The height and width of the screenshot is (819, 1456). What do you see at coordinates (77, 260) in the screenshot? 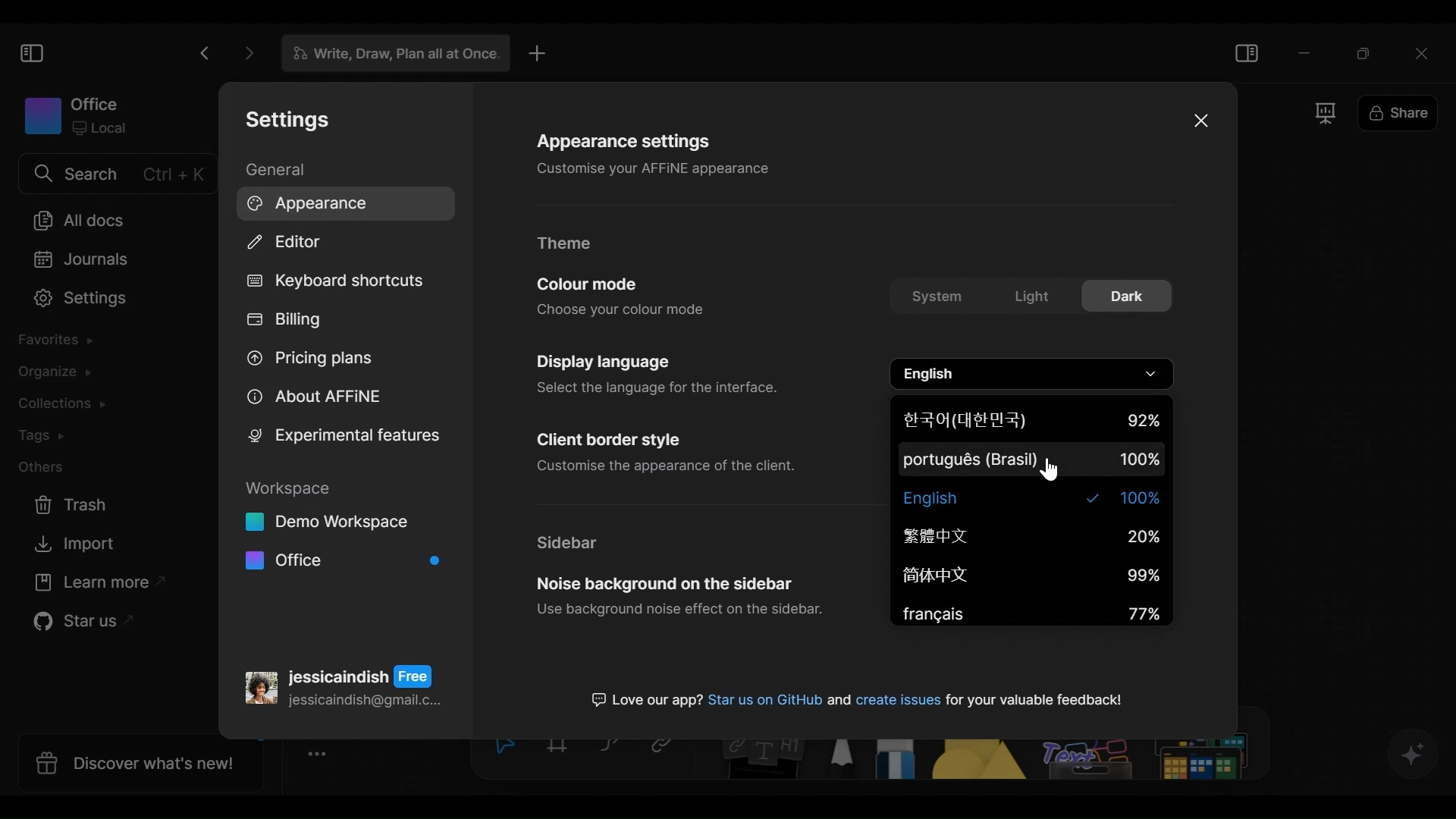
I see `Journal` at bounding box center [77, 260].